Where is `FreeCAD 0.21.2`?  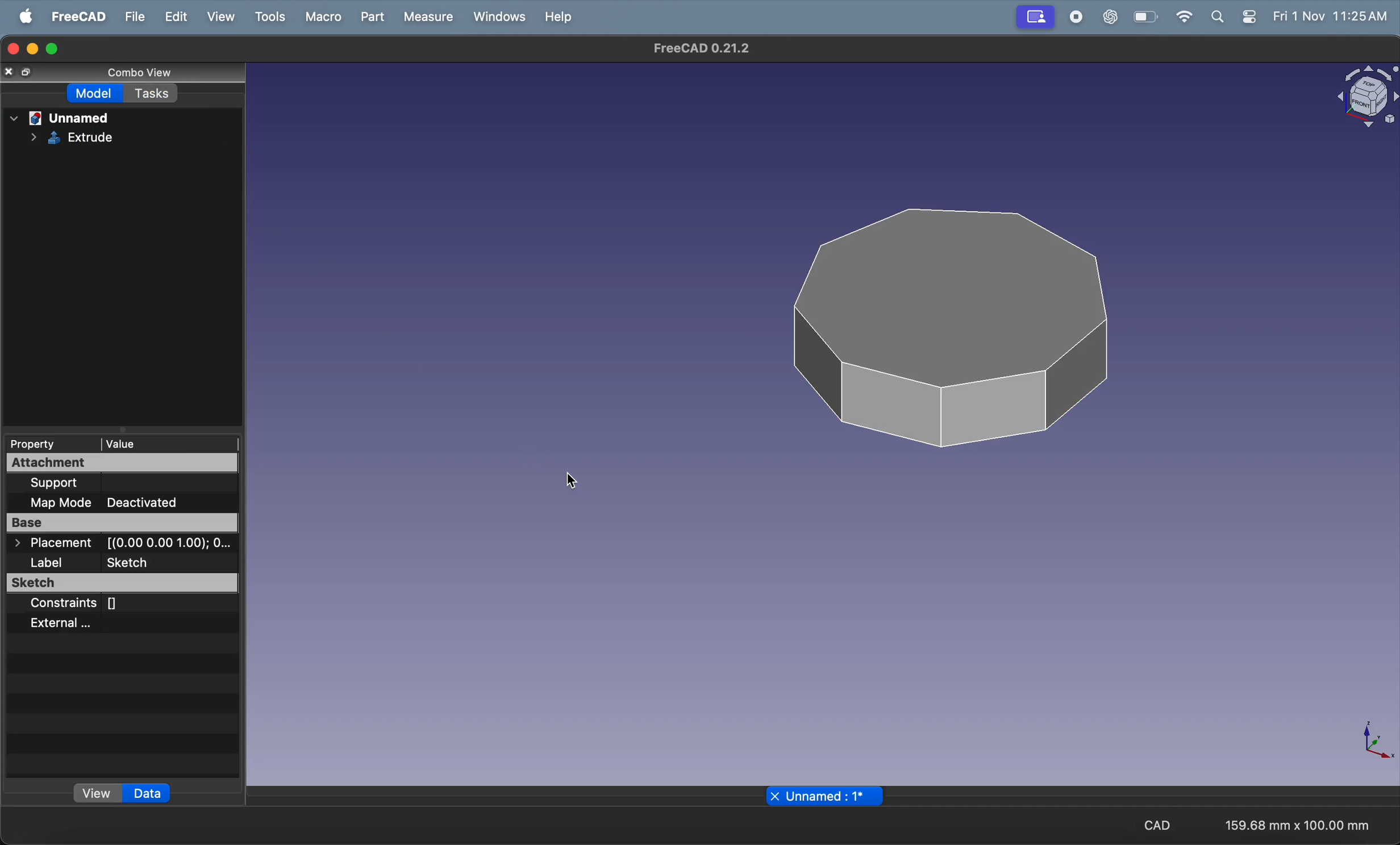 FreeCAD 0.21.2 is located at coordinates (706, 48).